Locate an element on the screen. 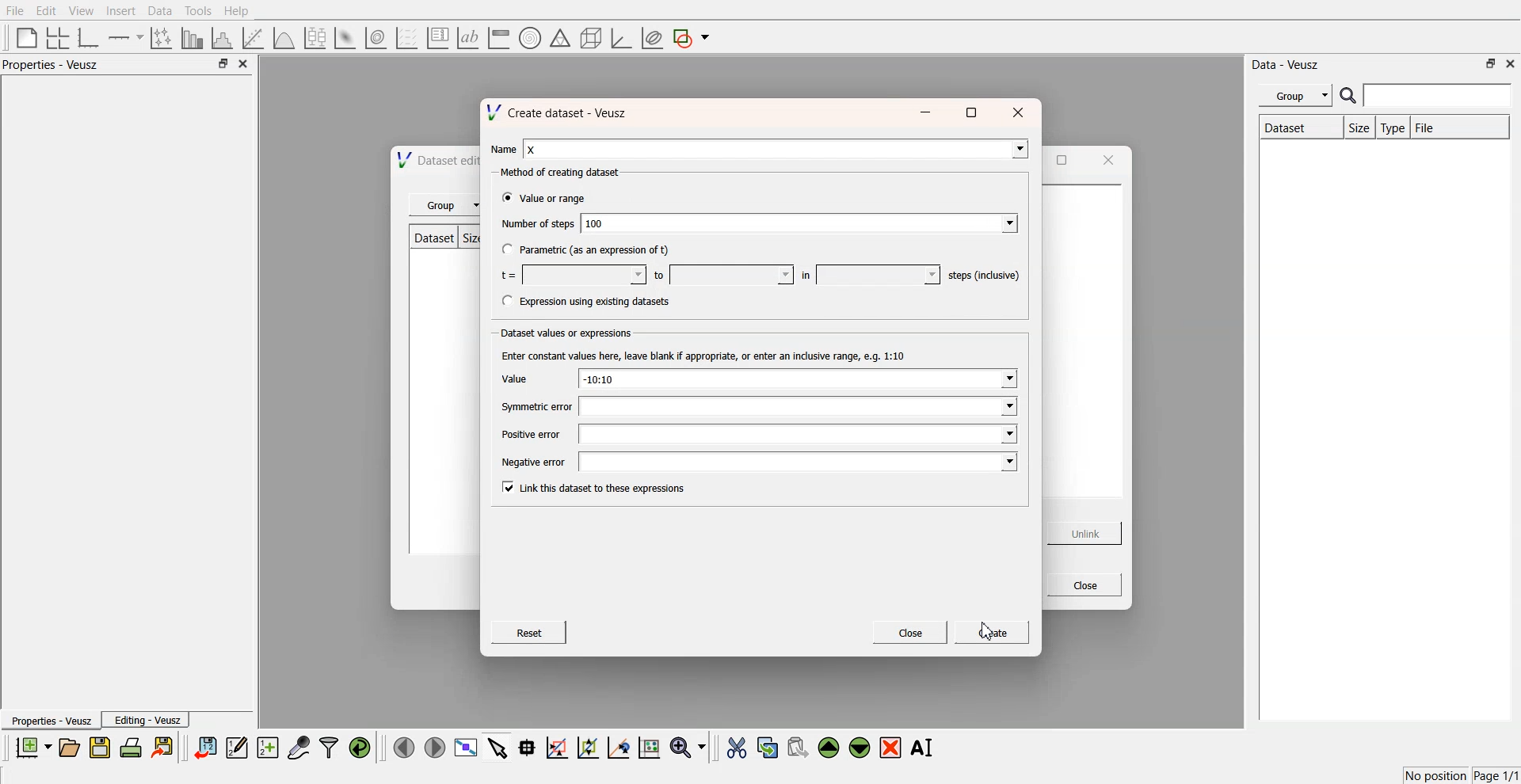 The height and width of the screenshot is (784, 1521). Value or range is located at coordinates (558, 200).